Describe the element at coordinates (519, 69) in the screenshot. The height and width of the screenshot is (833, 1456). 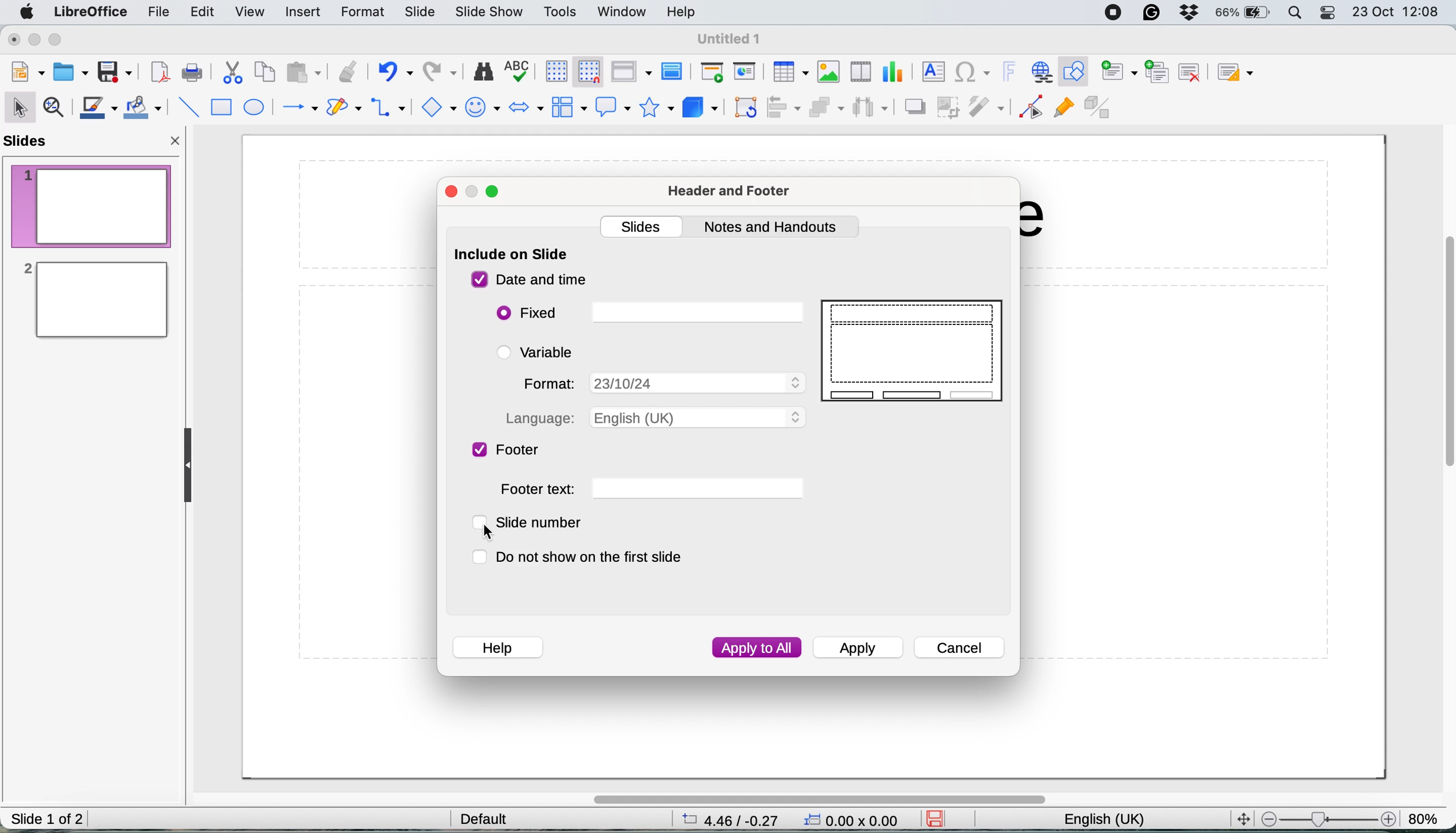
I see `spelling` at that location.